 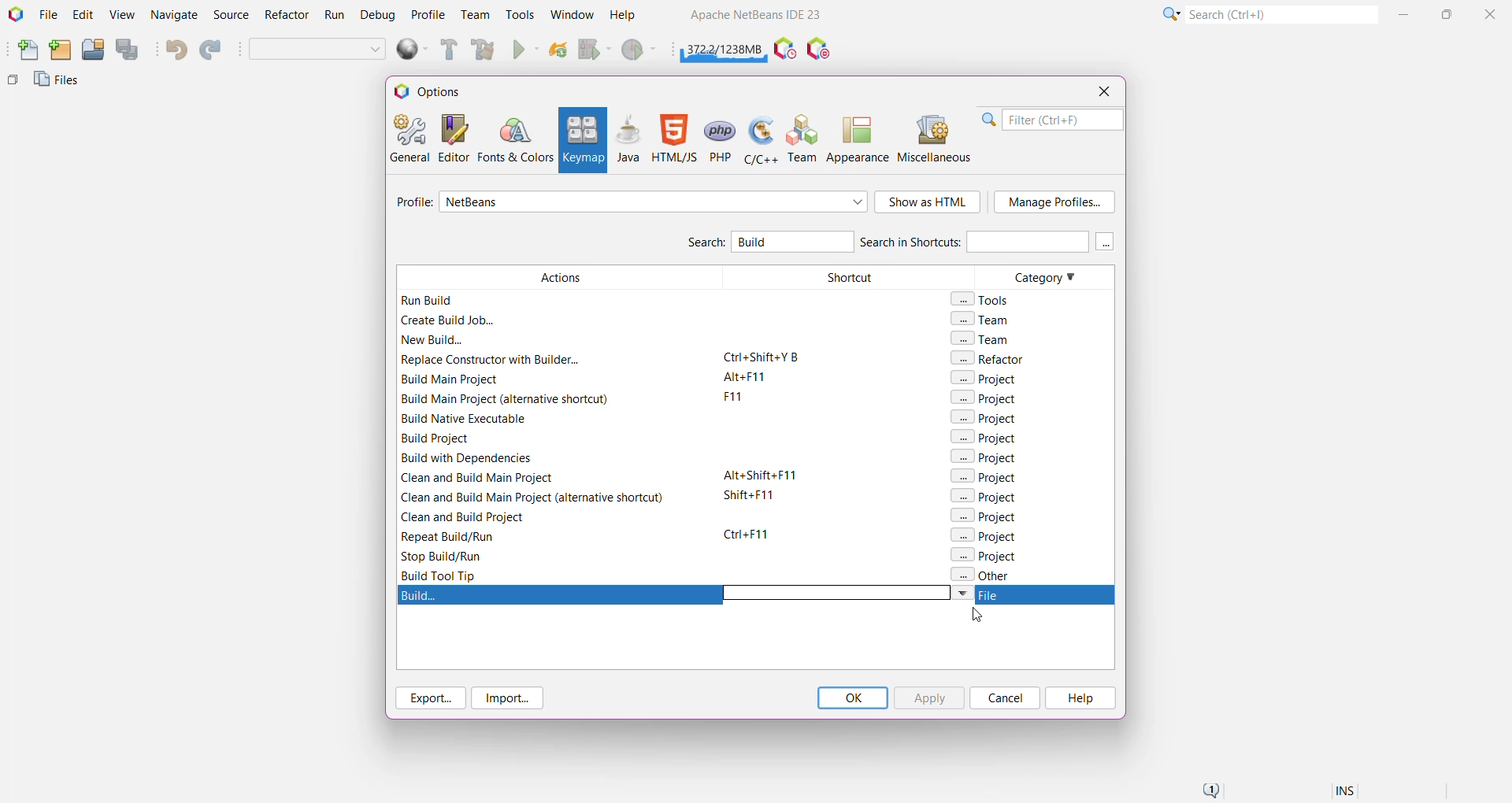 What do you see at coordinates (1005, 698) in the screenshot?
I see `Cancel` at bounding box center [1005, 698].